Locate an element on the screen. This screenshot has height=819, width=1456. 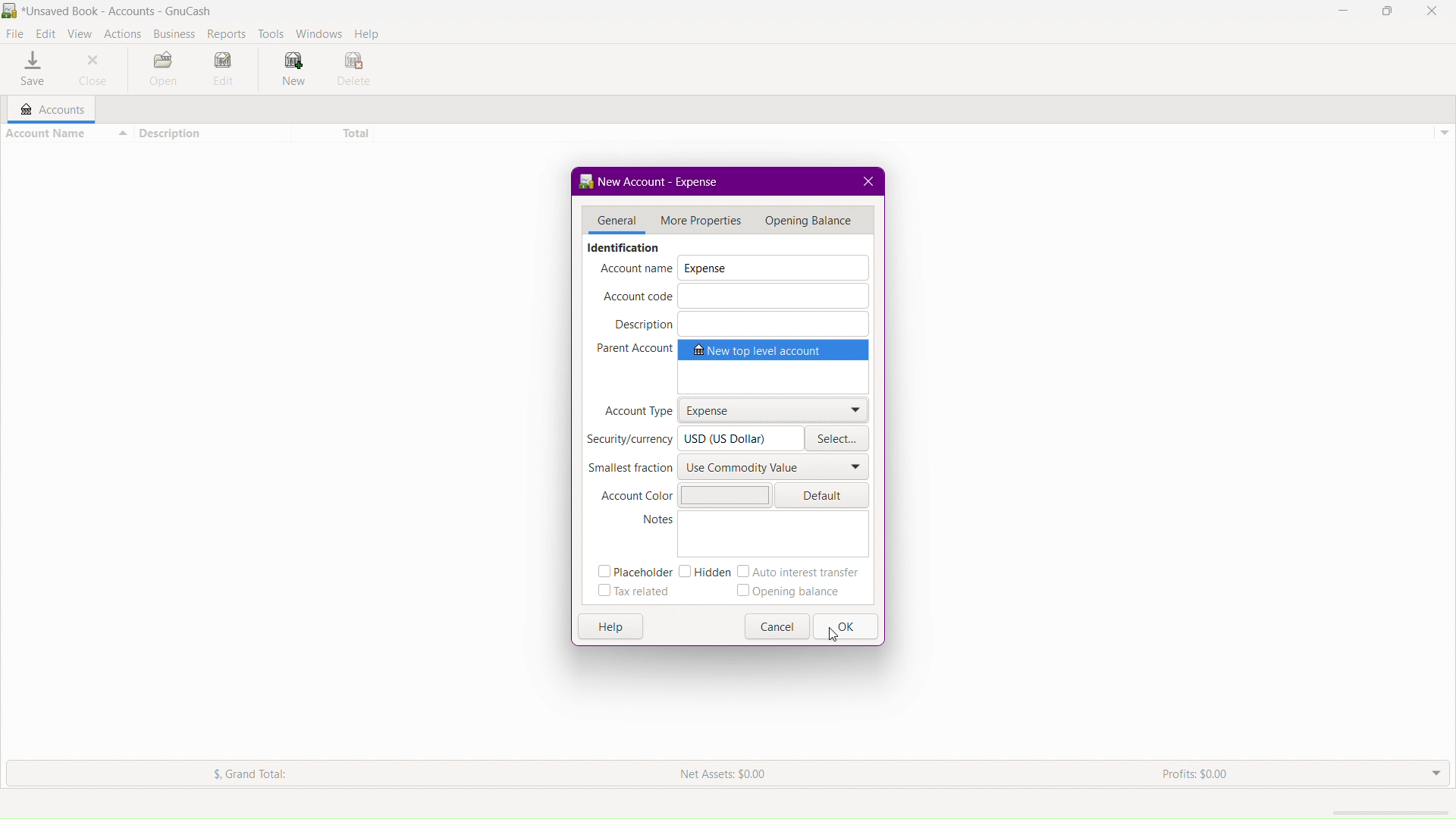
General is located at coordinates (612, 221).